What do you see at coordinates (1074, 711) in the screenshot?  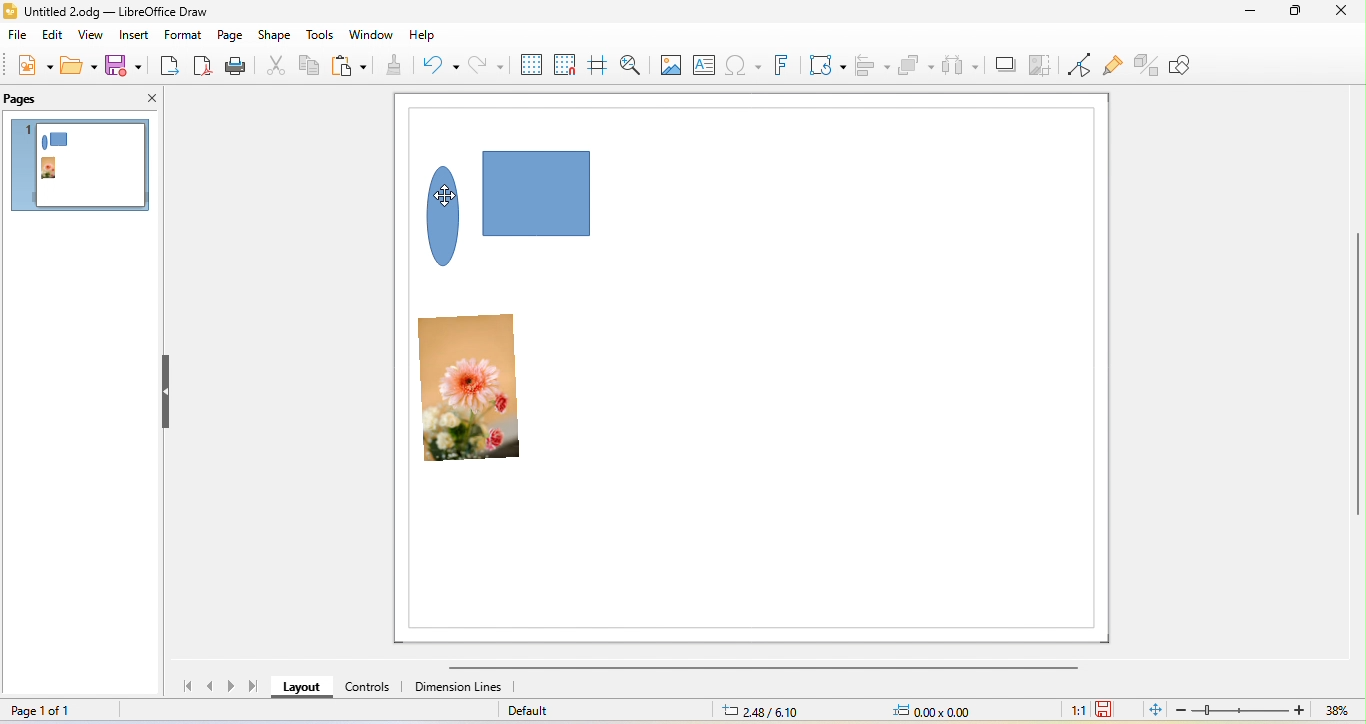 I see `1:1` at bounding box center [1074, 711].